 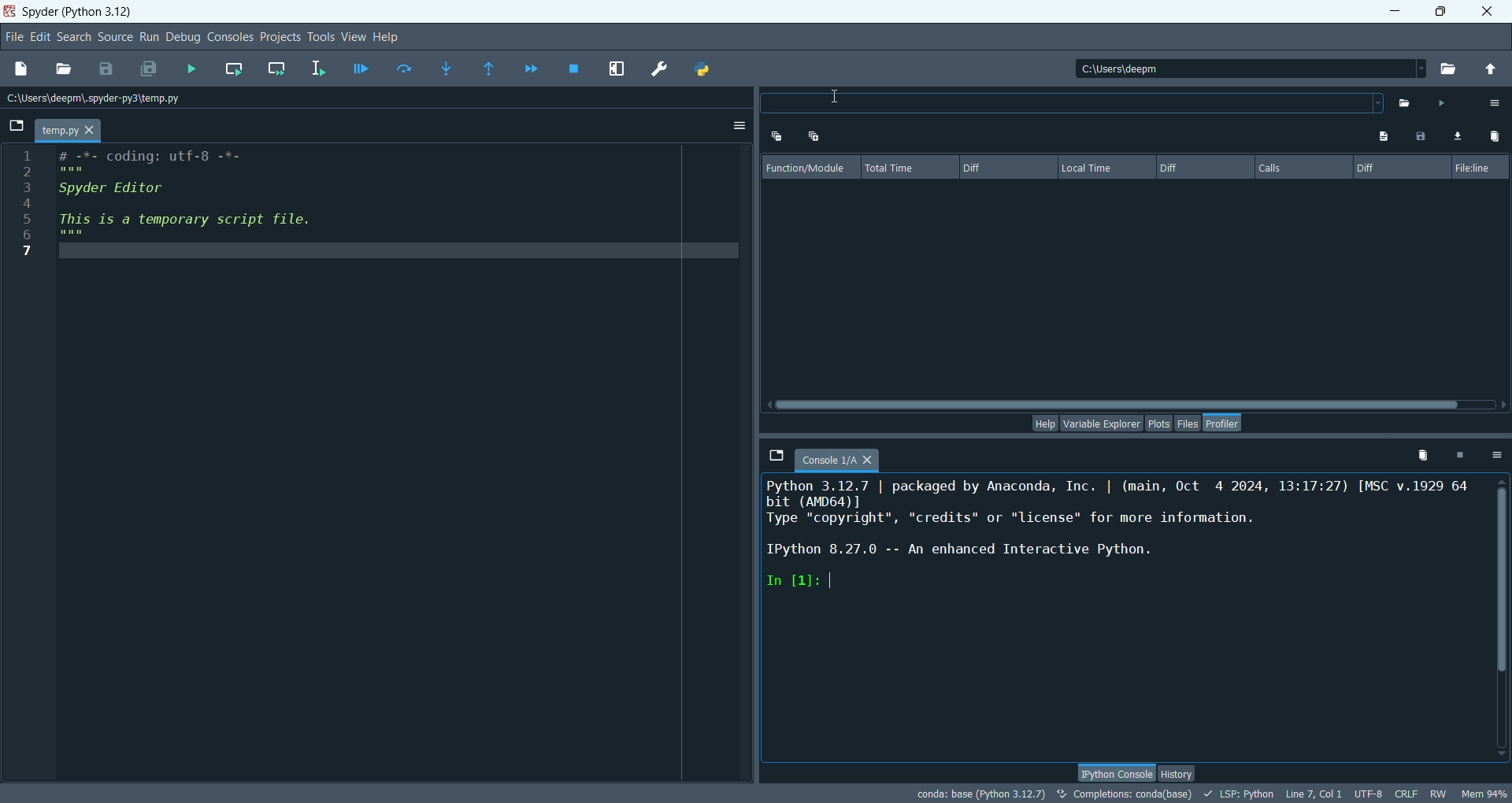 I want to click on PYTHONPATH manager, so click(x=703, y=71).